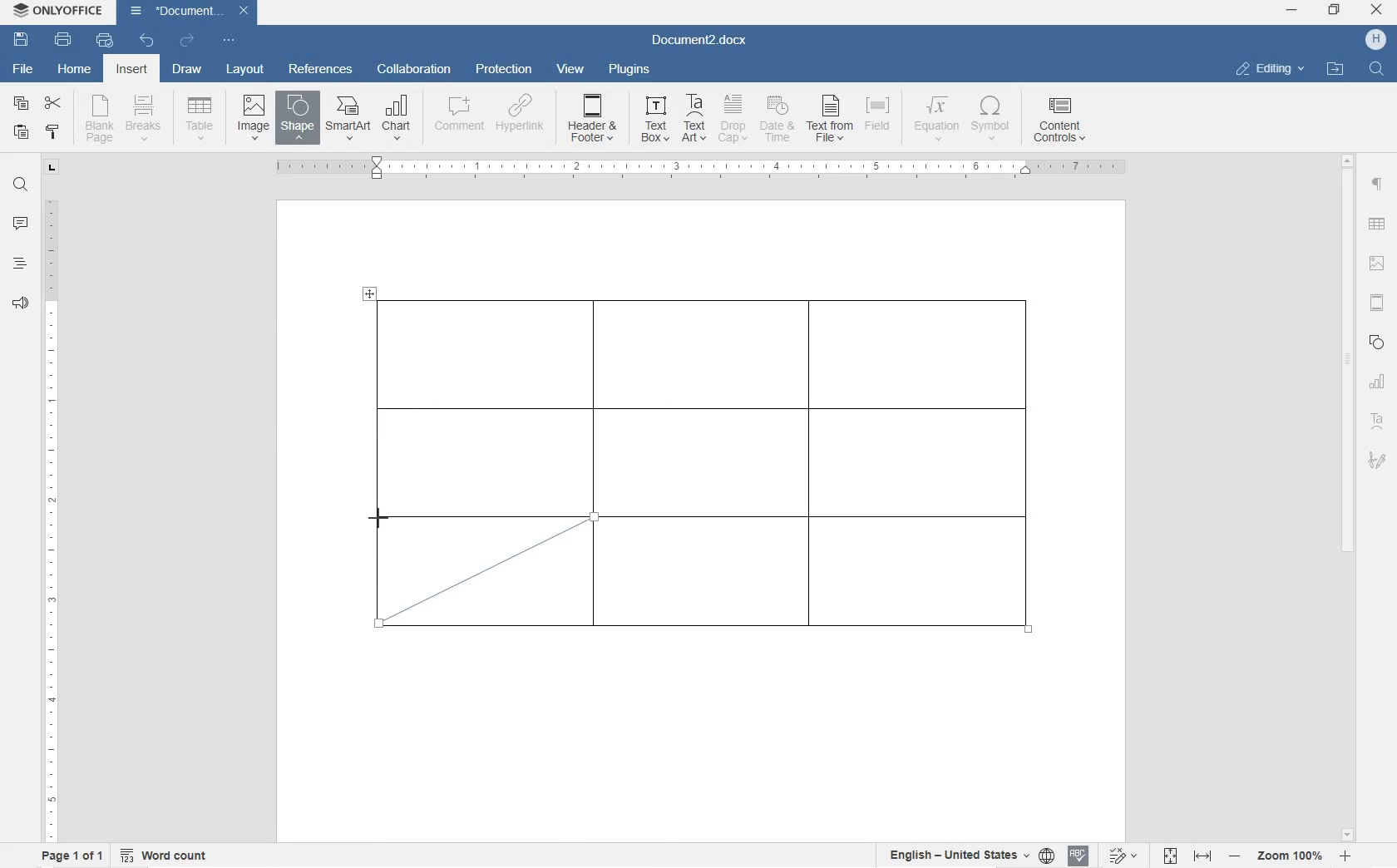 The image size is (1397, 868). I want to click on draw, so click(187, 69).